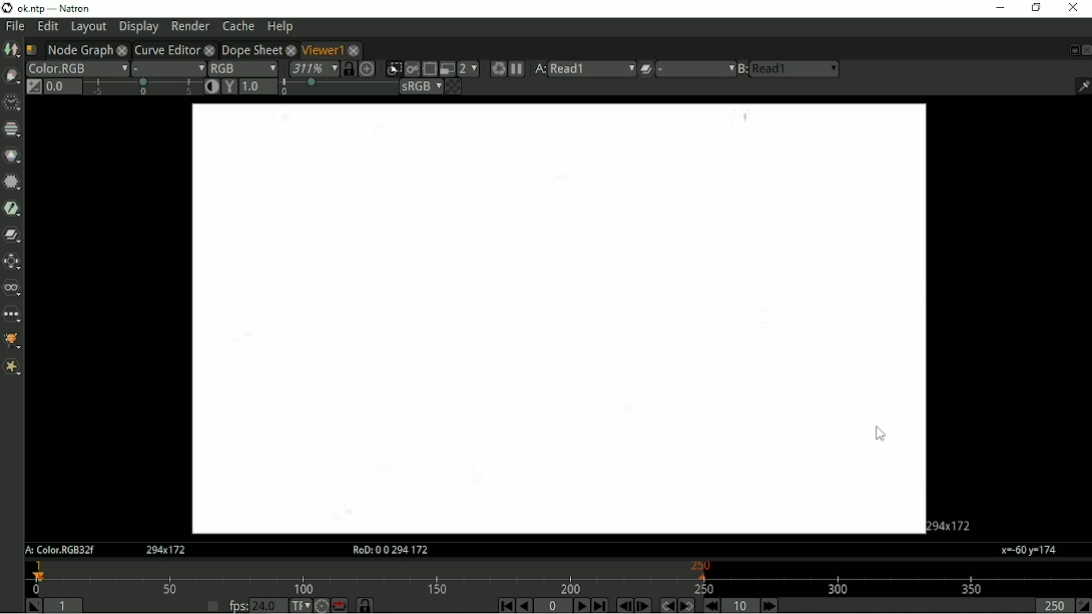  I want to click on Behaviour, so click(340, 605).